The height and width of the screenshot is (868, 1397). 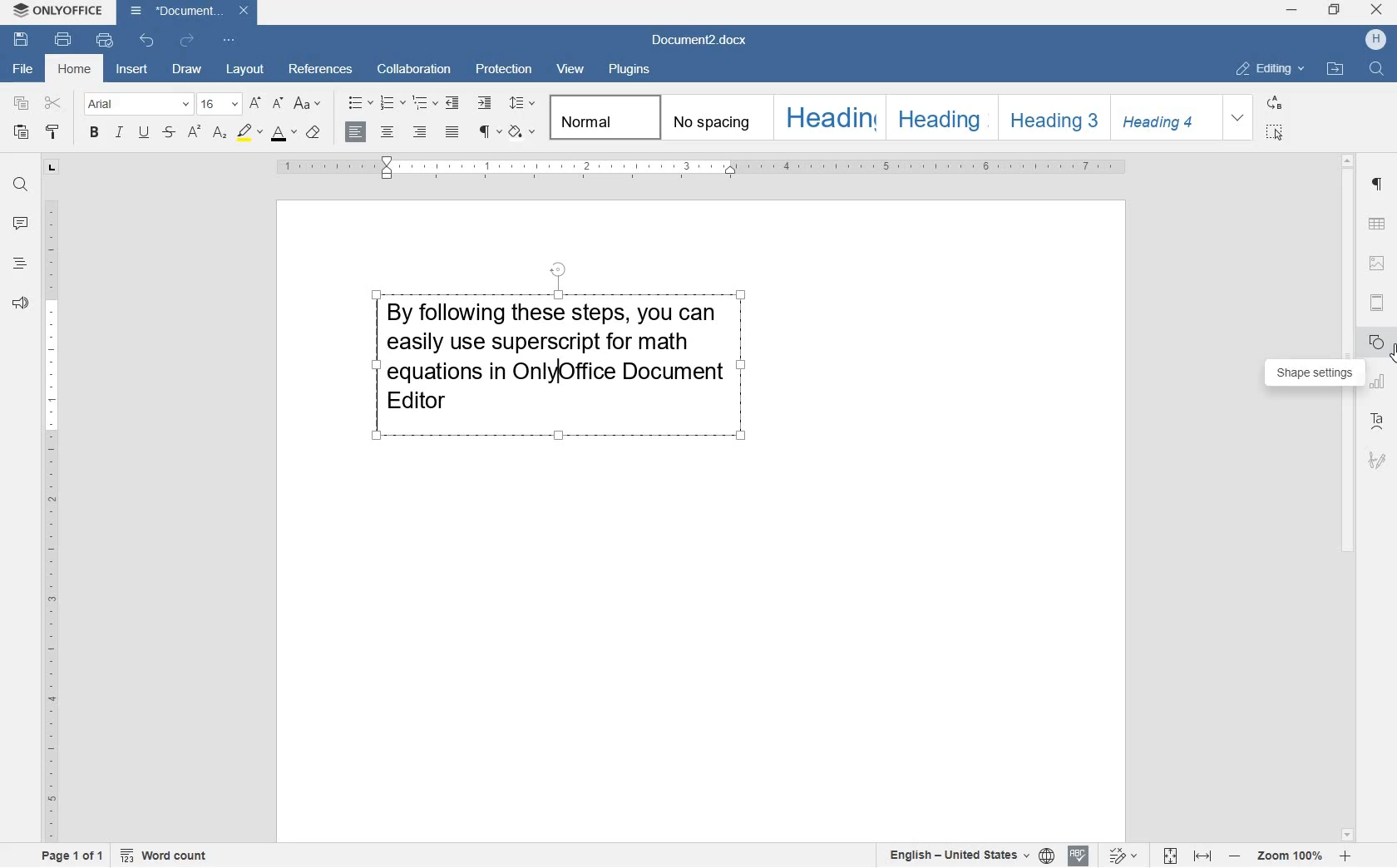 What do you see at coordinates (245, 70) in the screenshot?
I see `layout` at bounding box center [245, 70].